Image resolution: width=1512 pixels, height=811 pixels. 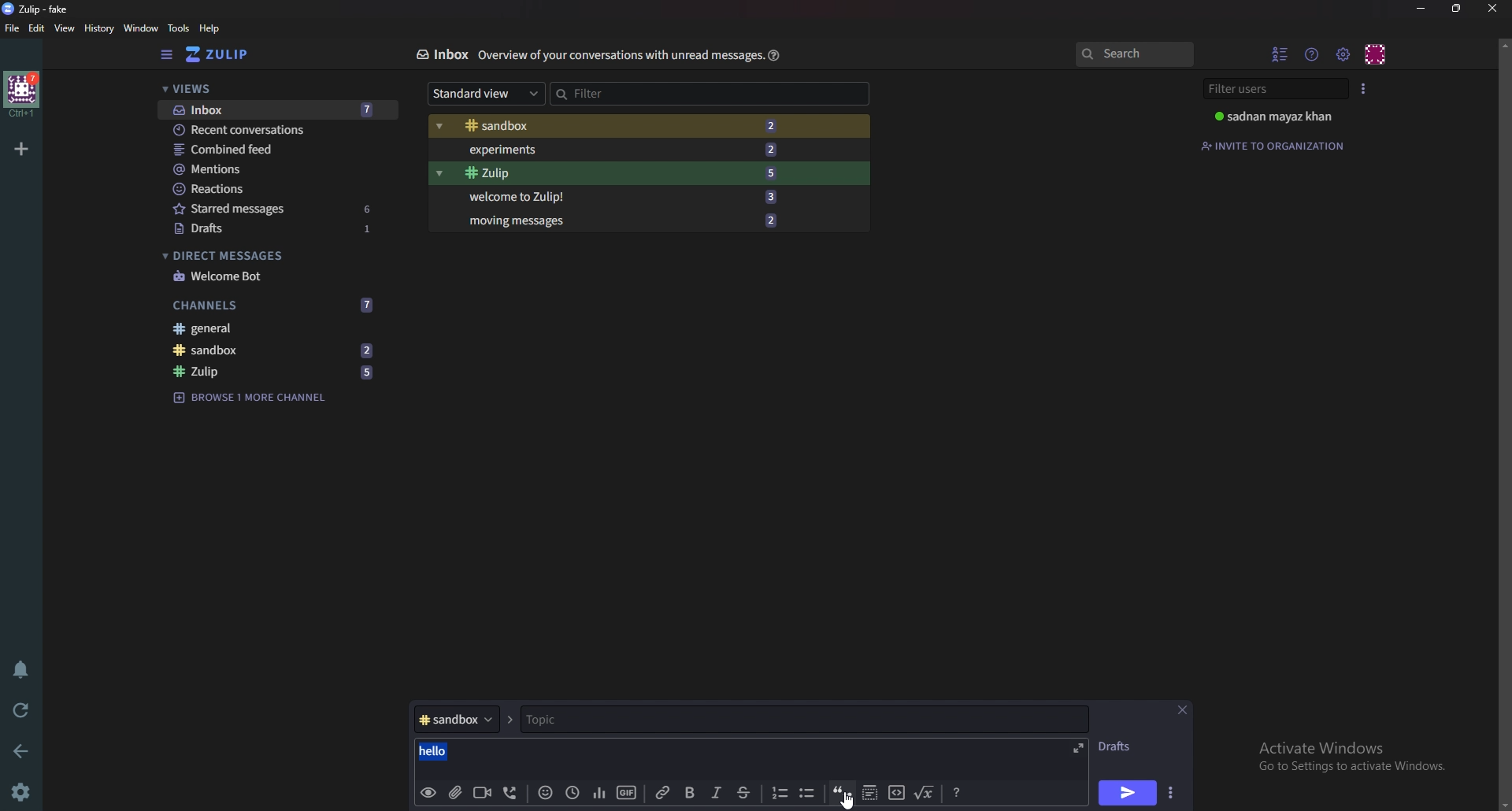 What do you see at coordinates (269, 171) in the screenshot?
I see `Mentions` at bounding box center [269, 171].